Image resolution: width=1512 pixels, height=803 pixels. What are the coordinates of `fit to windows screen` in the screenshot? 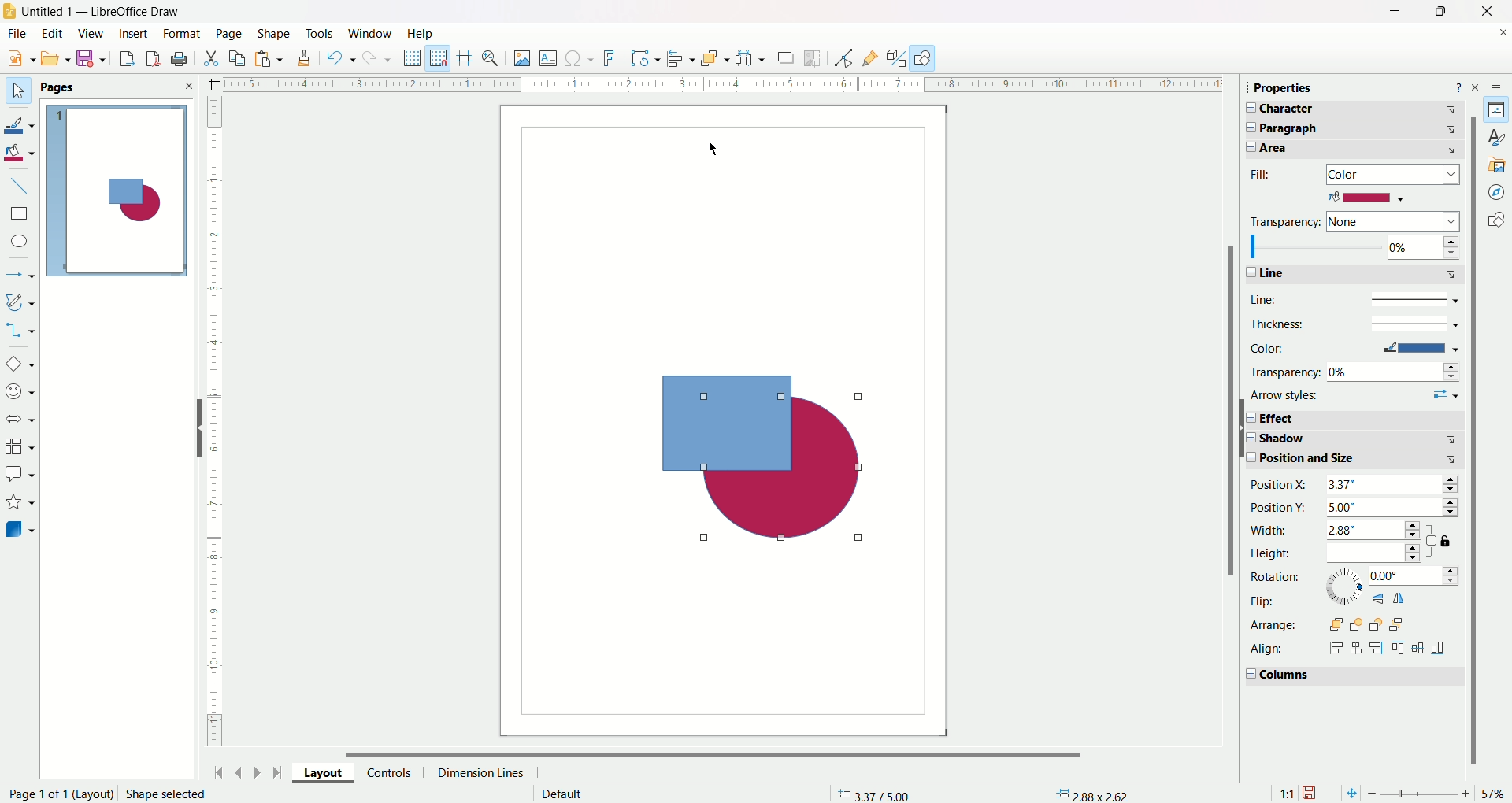 It's located at (1347, 792).